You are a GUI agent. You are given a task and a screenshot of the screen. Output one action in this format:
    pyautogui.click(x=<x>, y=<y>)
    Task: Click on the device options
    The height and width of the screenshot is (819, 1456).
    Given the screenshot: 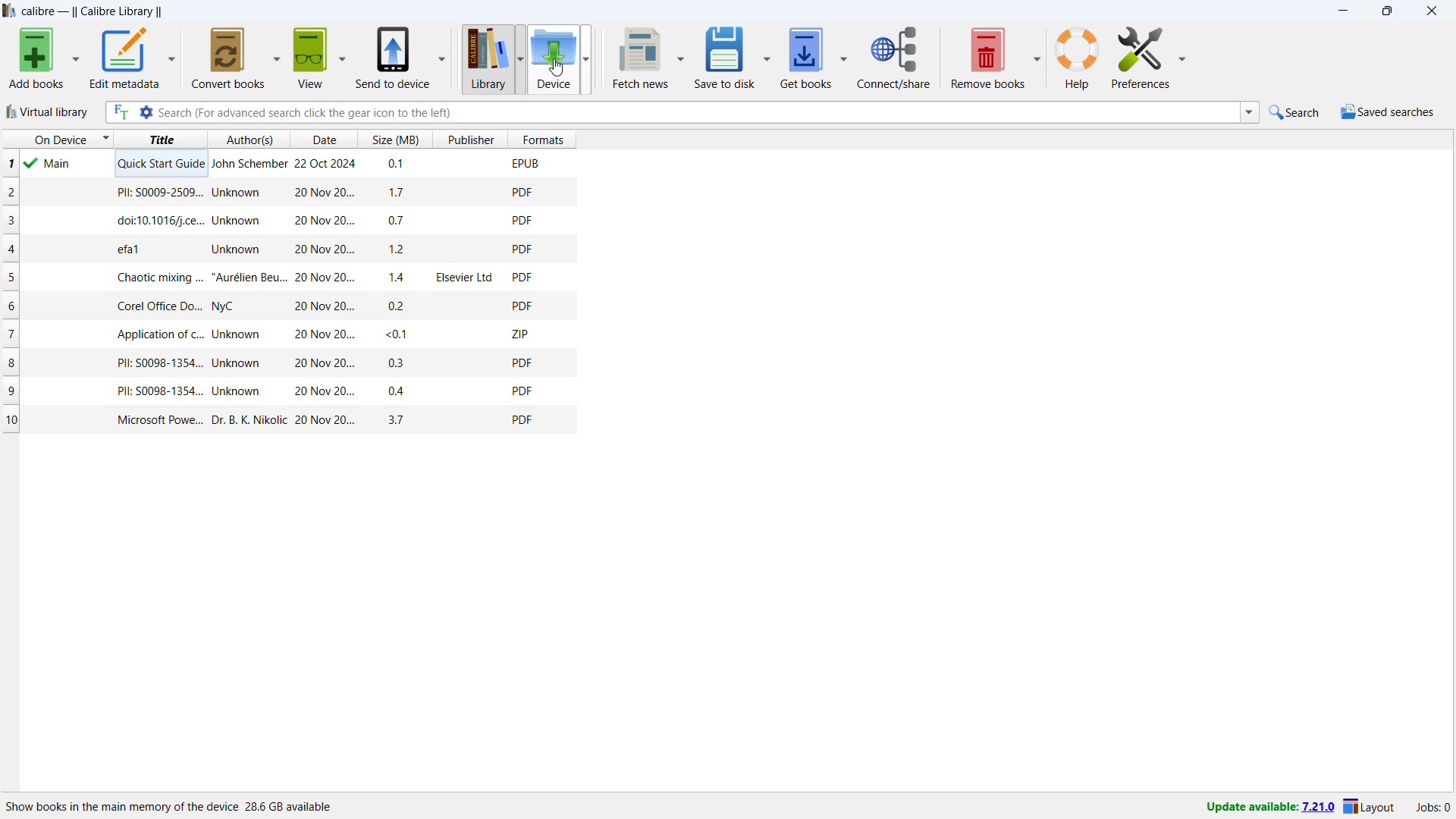 What is the action you would take?
    pyautogui.click(x=584, y=58)
    